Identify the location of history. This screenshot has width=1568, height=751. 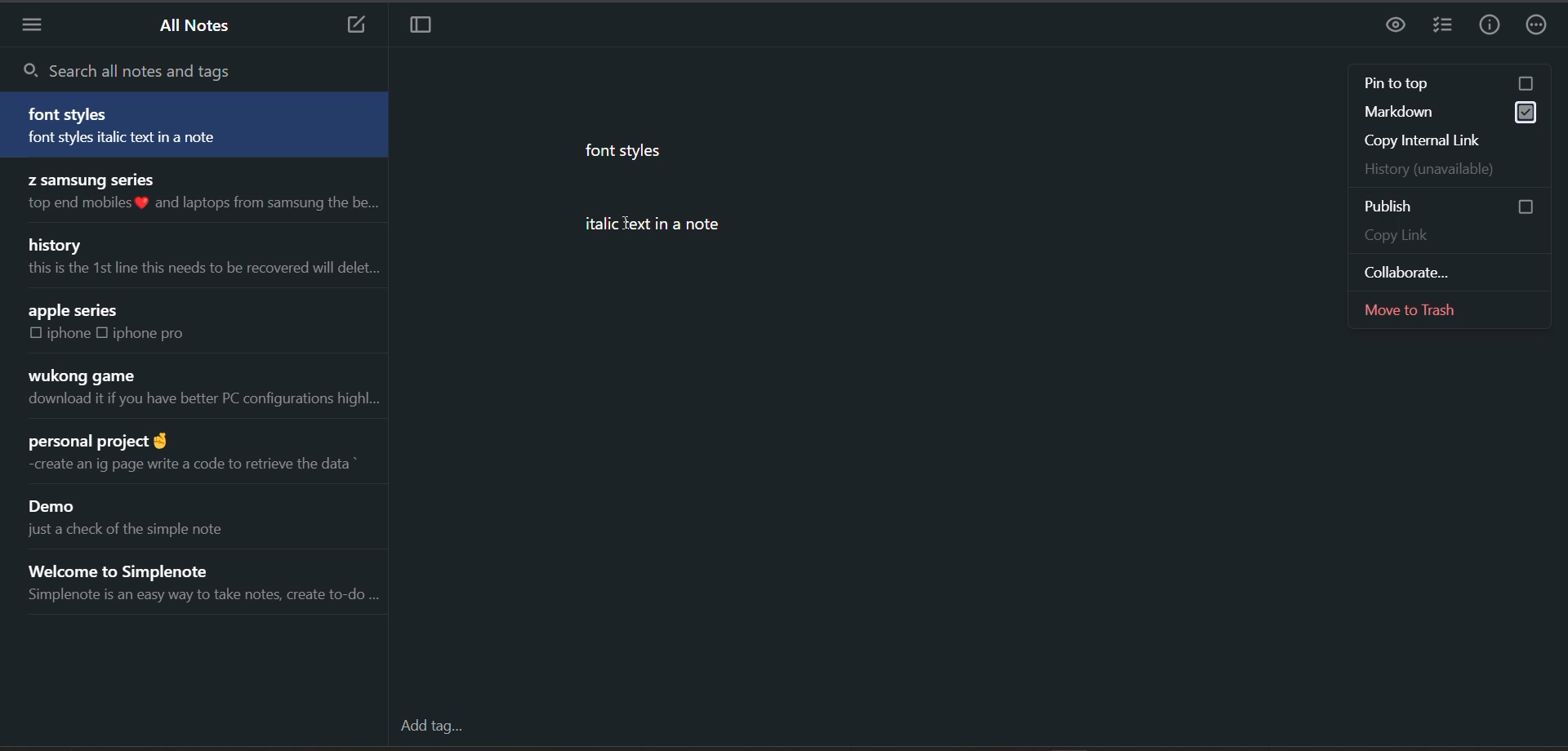
(1450, 169).